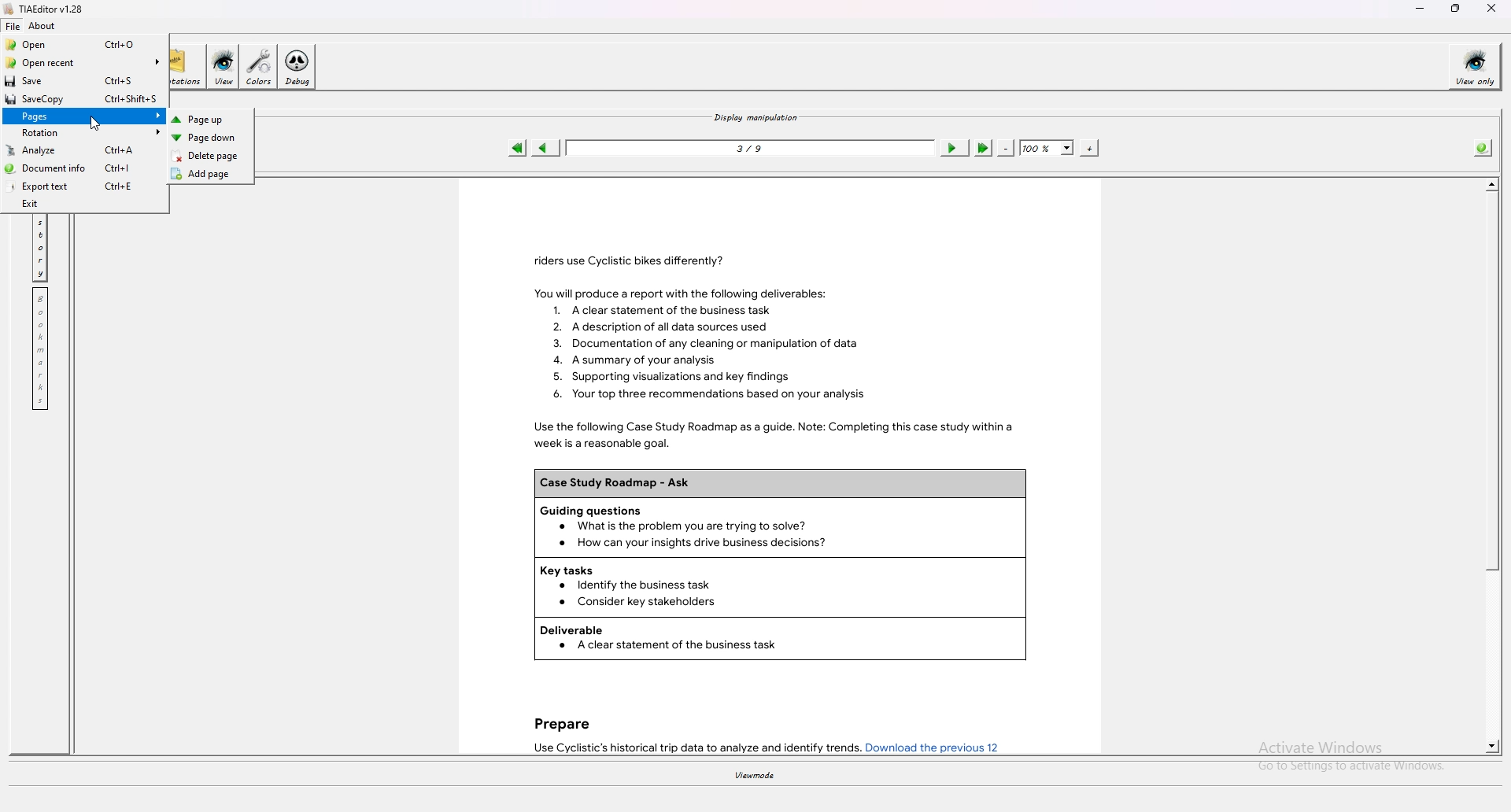 The height and width of the screenshot is (812, 1511). What do you see at coordinates (70, 168) in the screenshot?
I see `Document info  Ctrl+|` at bounding box center [70, 168].